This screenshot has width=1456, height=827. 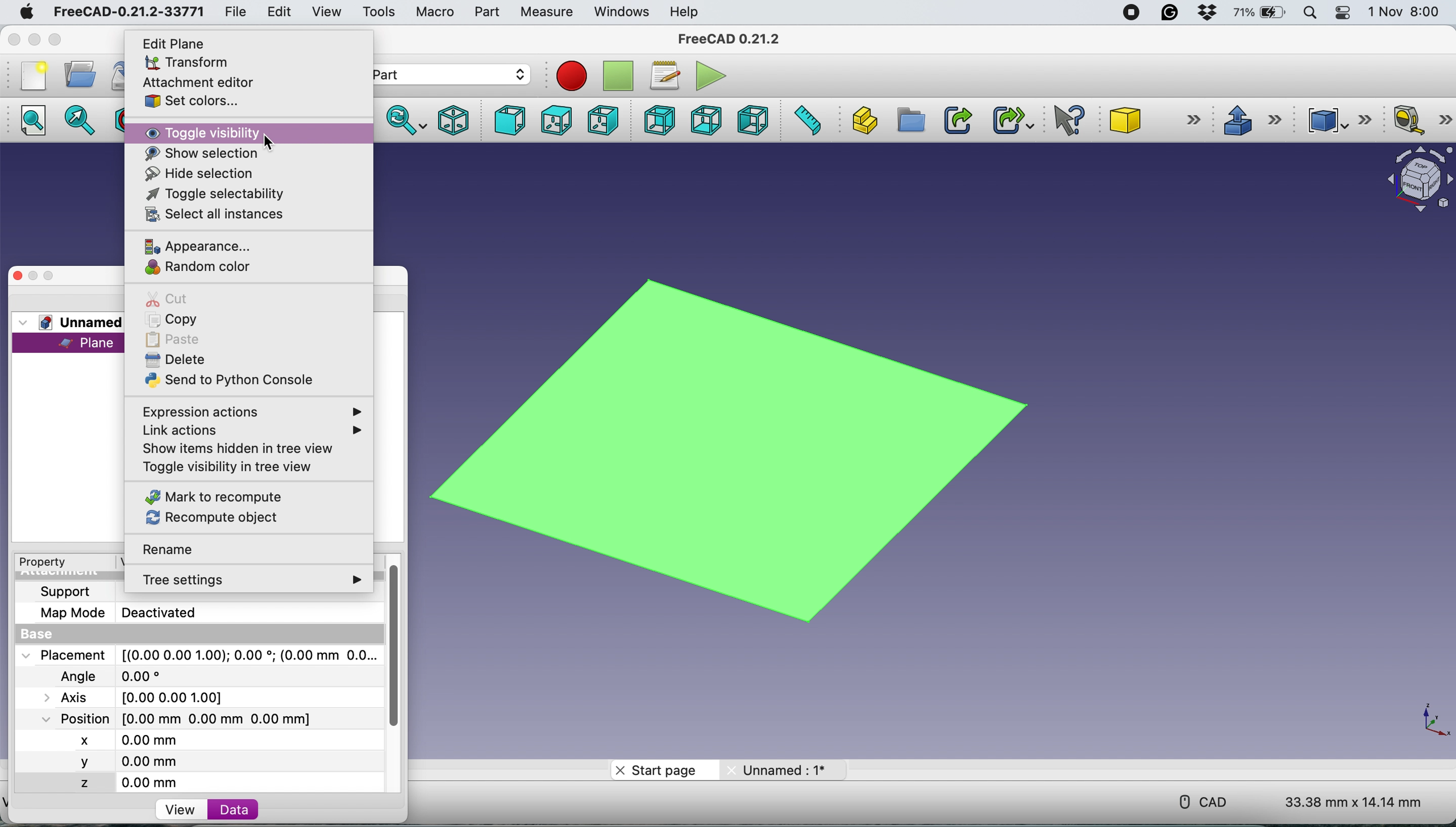 I want to click on left, so click(x=752, y=121).